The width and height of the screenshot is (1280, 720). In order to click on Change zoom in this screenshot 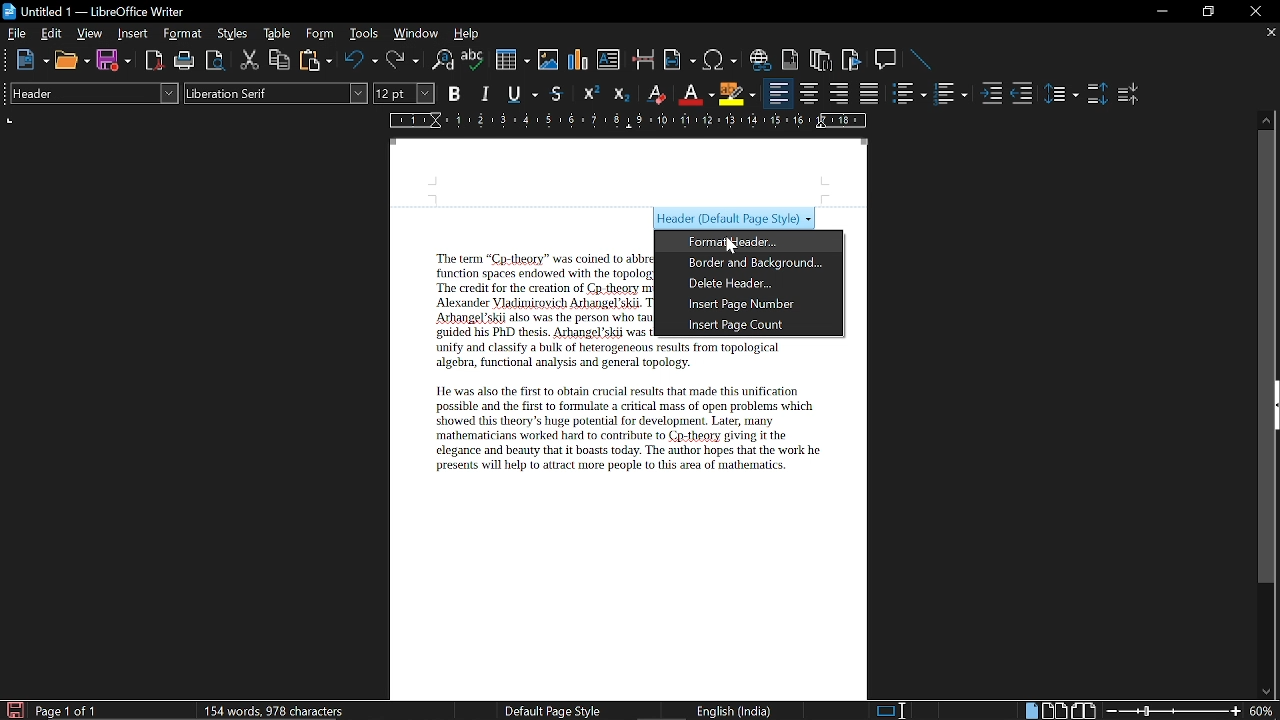, I will do `click(1174, 711)`.